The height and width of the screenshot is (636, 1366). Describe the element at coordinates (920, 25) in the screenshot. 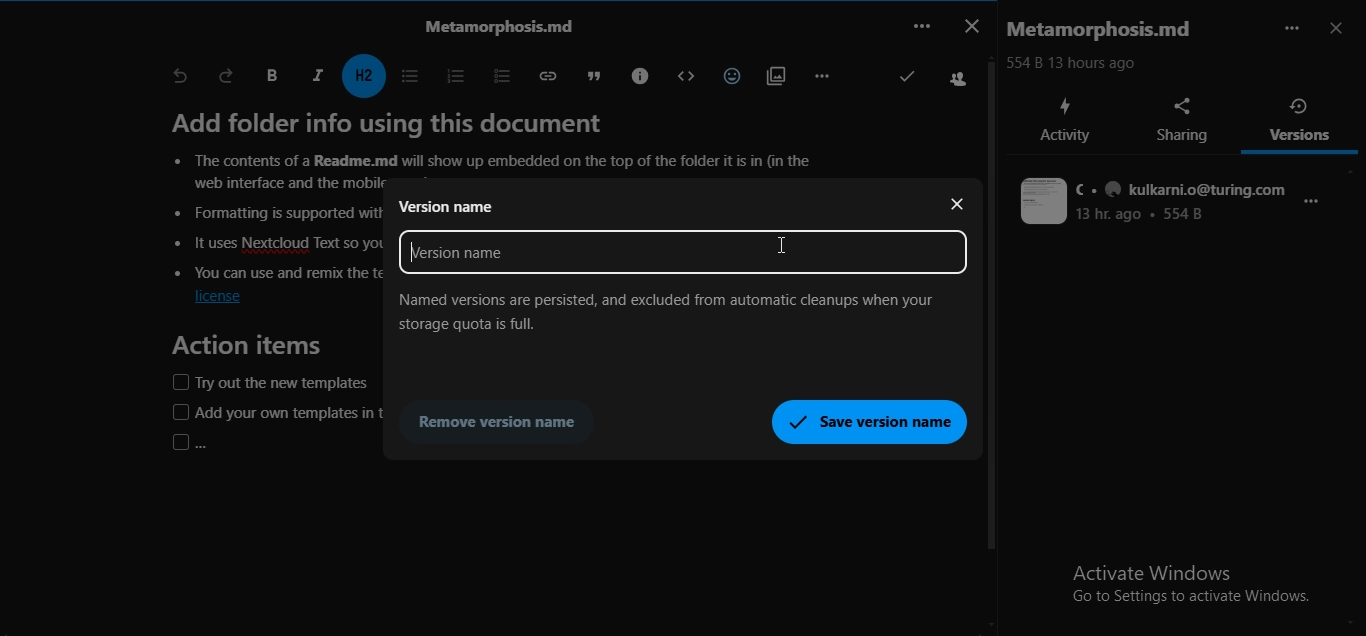

I see `...` at that location.